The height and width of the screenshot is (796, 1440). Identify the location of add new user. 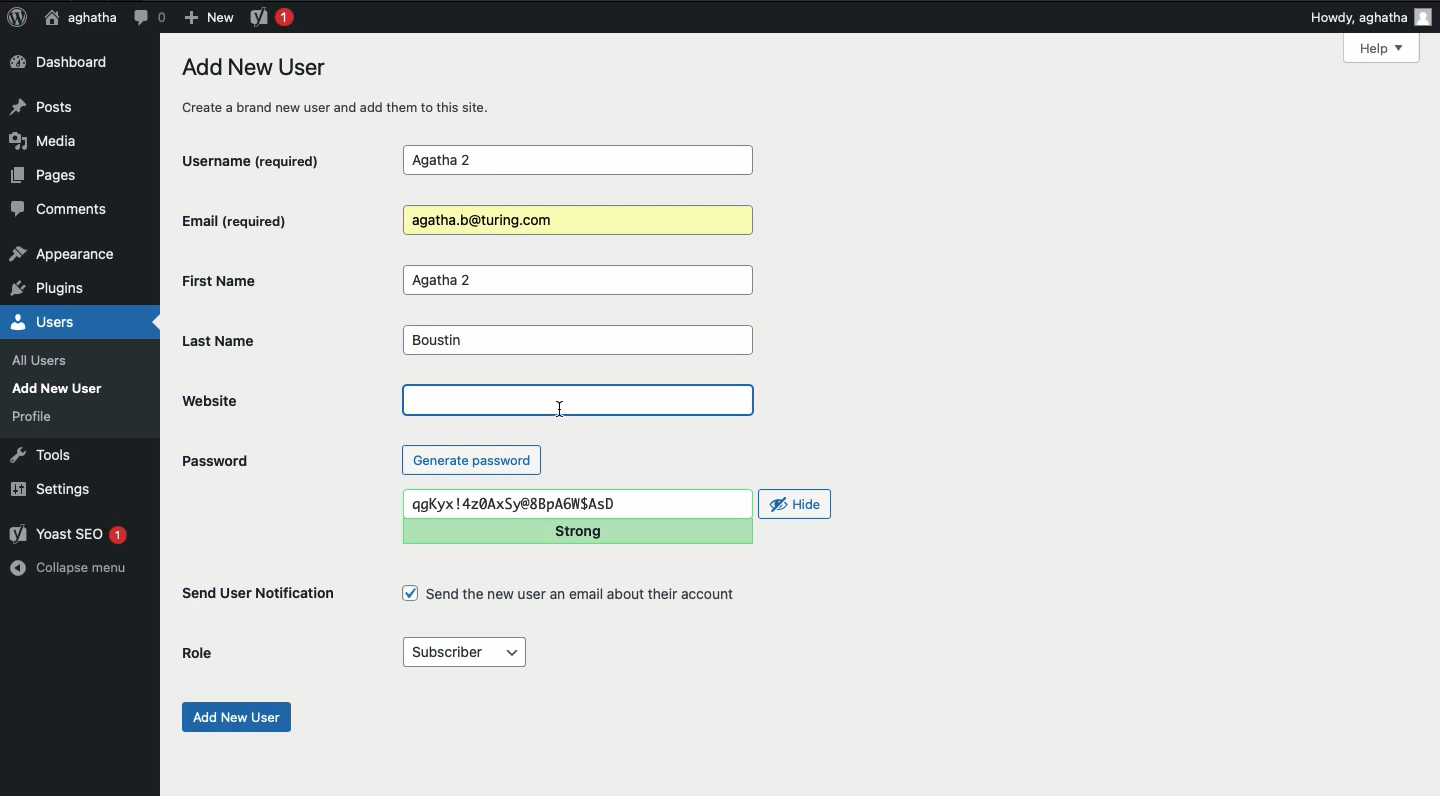
(62, 388).